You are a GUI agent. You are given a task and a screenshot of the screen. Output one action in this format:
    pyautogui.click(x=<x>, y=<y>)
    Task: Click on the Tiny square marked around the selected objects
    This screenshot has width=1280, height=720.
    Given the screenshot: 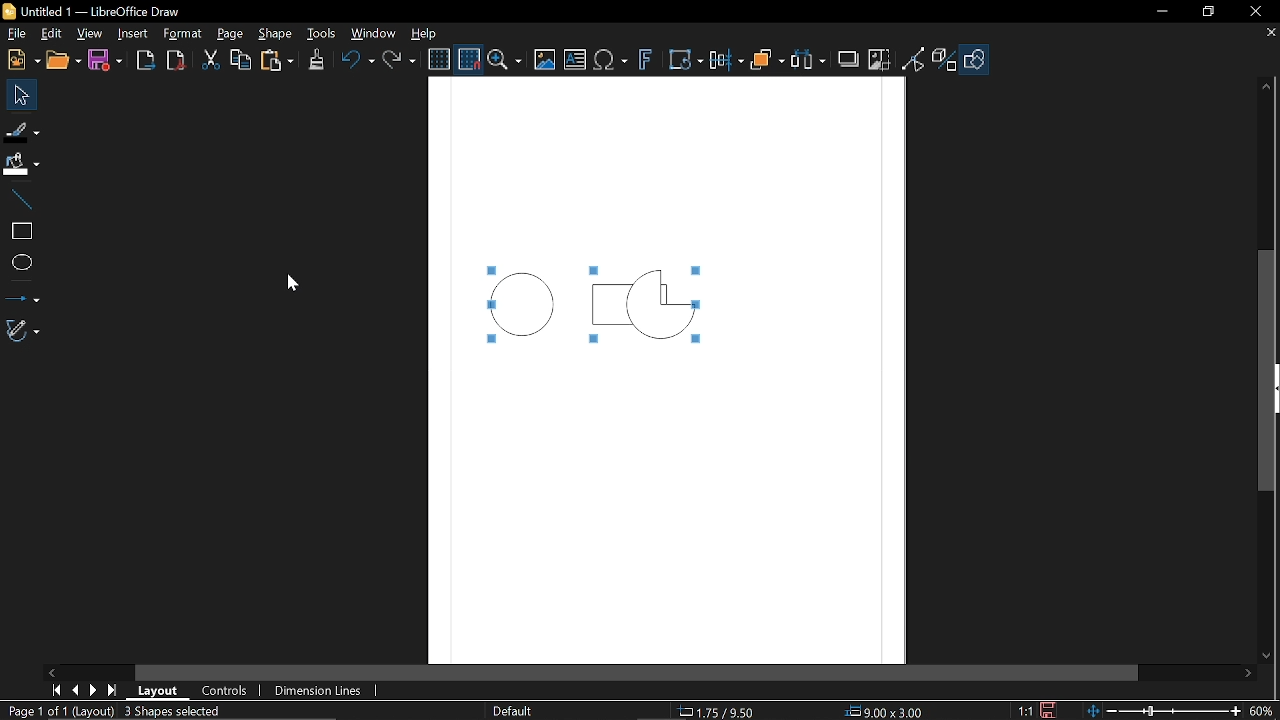 What is the action you would take?
    pyautogui.click(x=488, y=305)
    